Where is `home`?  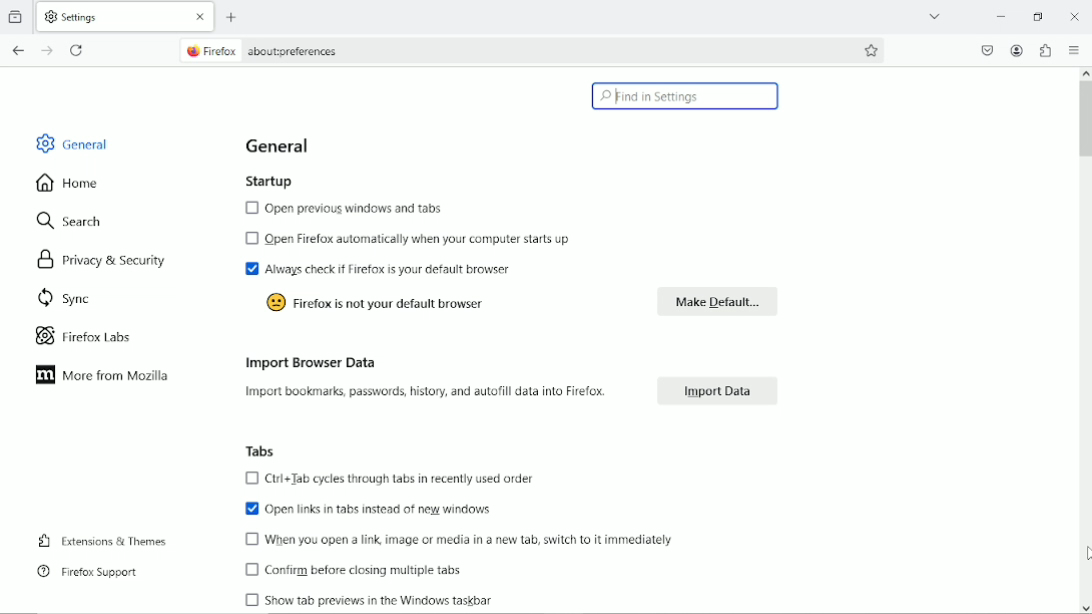 home is located at coordinates (68, 182).